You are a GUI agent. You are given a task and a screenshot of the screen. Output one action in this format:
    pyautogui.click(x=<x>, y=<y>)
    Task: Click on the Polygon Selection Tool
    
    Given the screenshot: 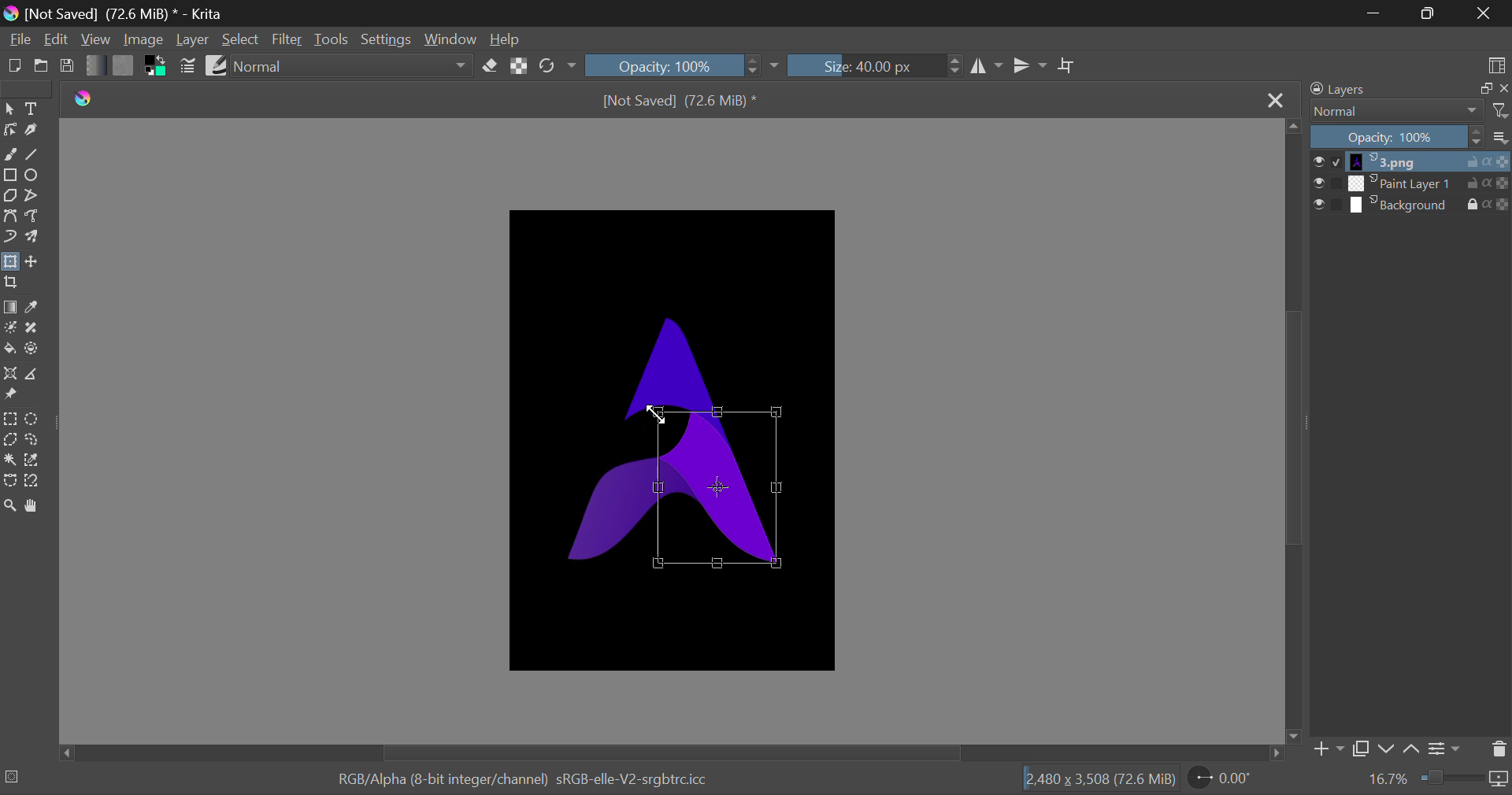 What is the action you would take?
    pyautogui.click(x=9, y=441)
    